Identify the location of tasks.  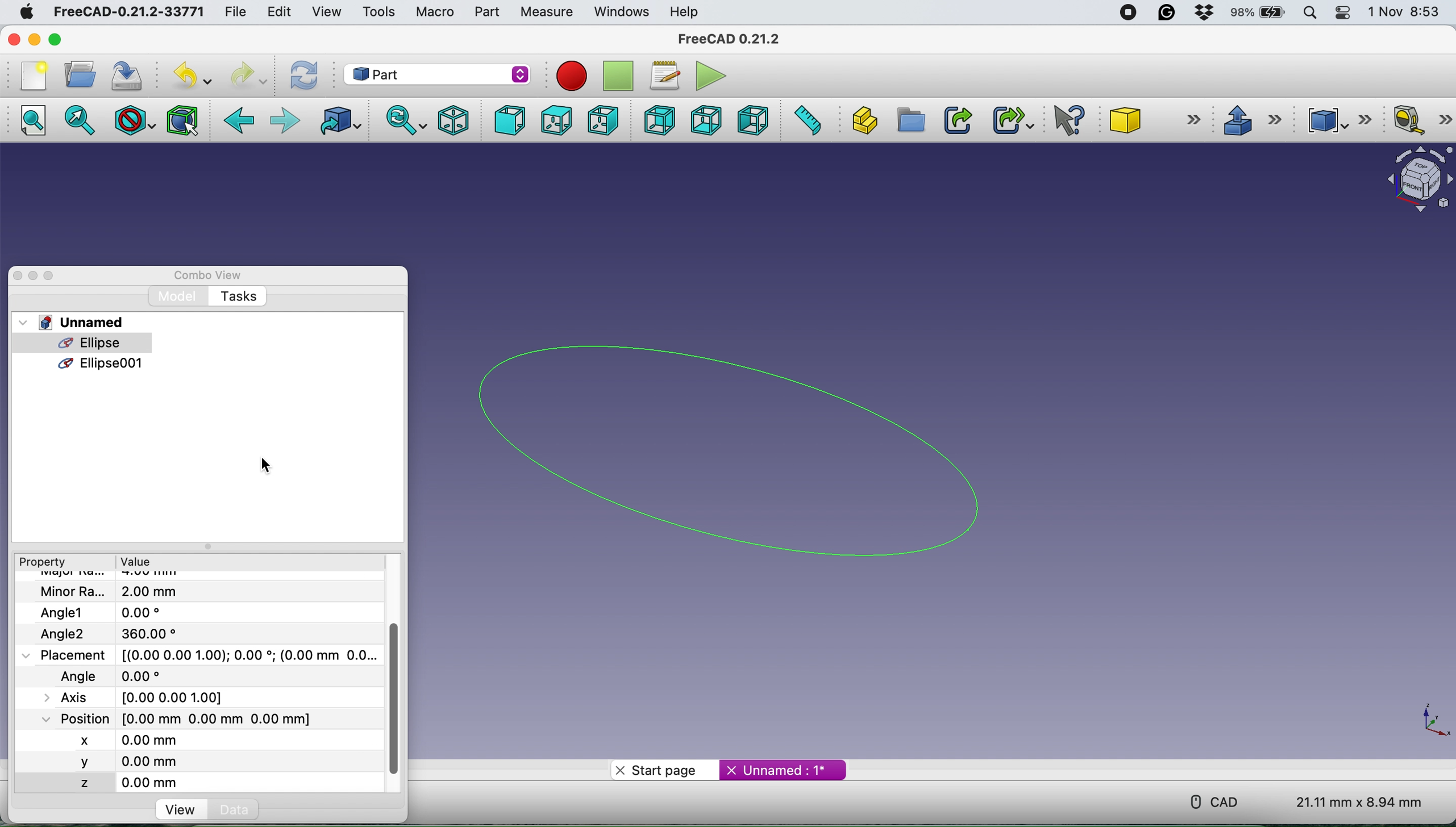
(238, 296).